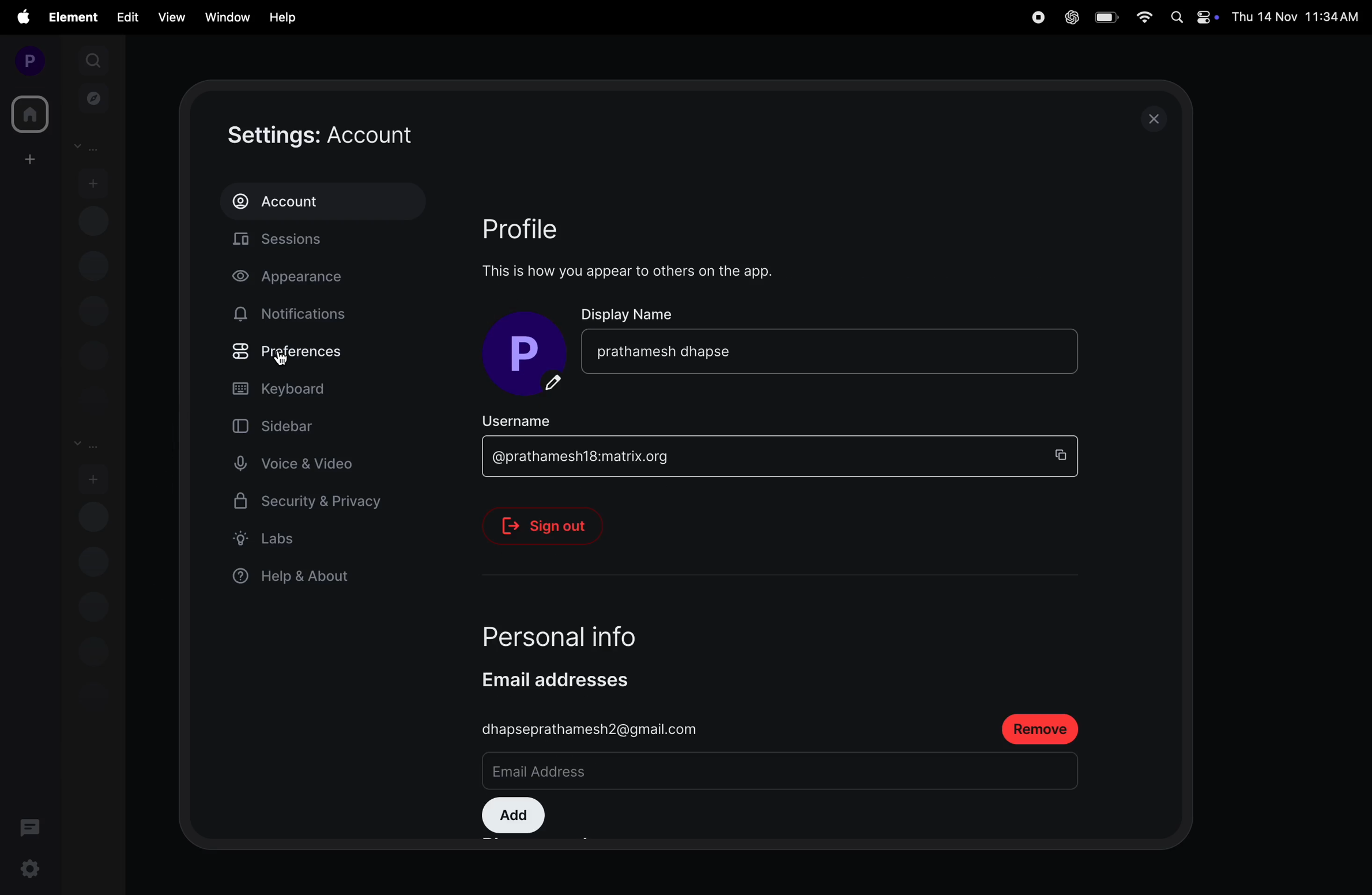  Describe the element at coordinates (1156, 118) in the screenshot. I see `close` at that location.